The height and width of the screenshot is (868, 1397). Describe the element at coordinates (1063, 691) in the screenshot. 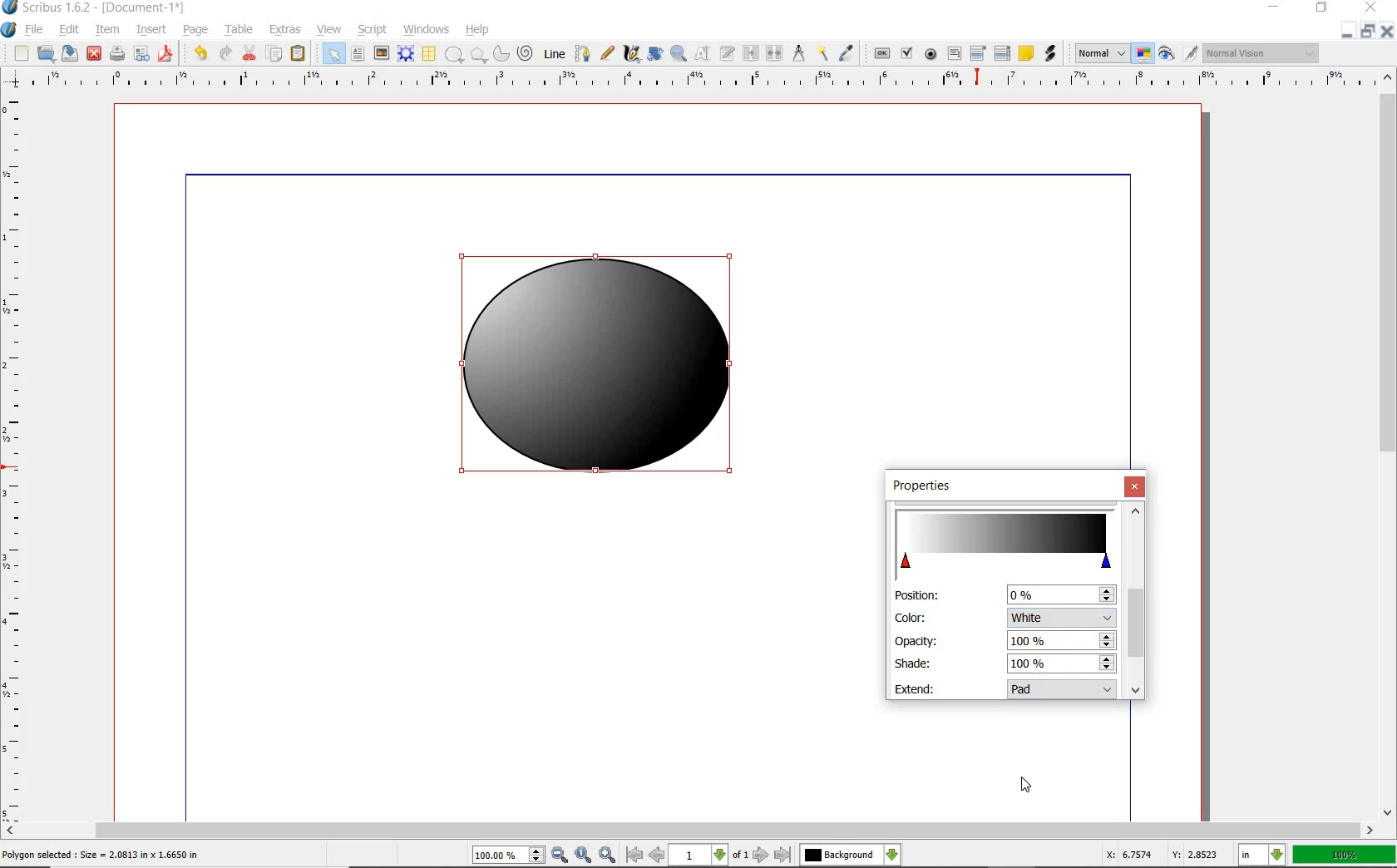

I see `extend` at that location.